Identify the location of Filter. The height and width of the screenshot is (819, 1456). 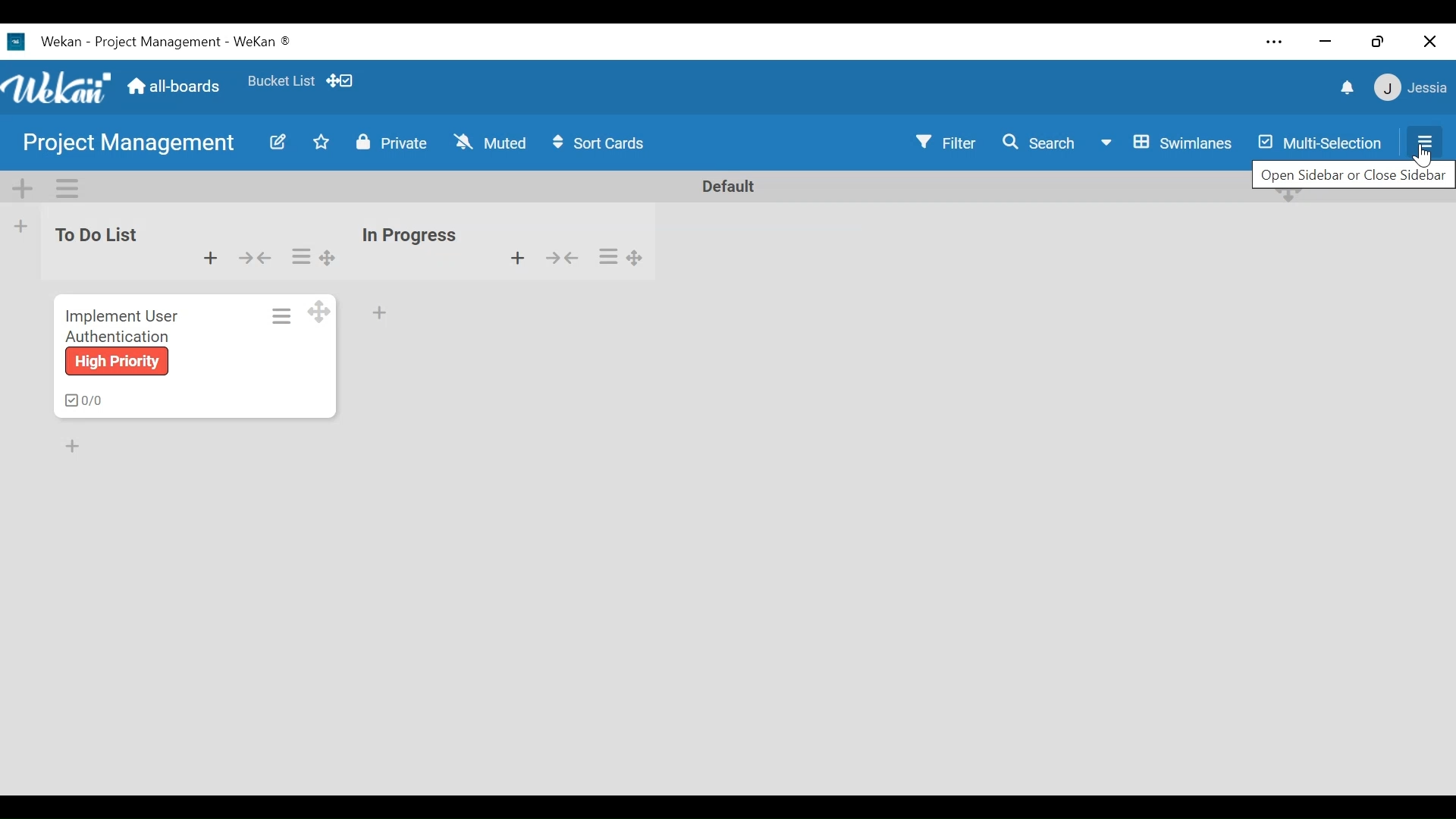
(949, 142).